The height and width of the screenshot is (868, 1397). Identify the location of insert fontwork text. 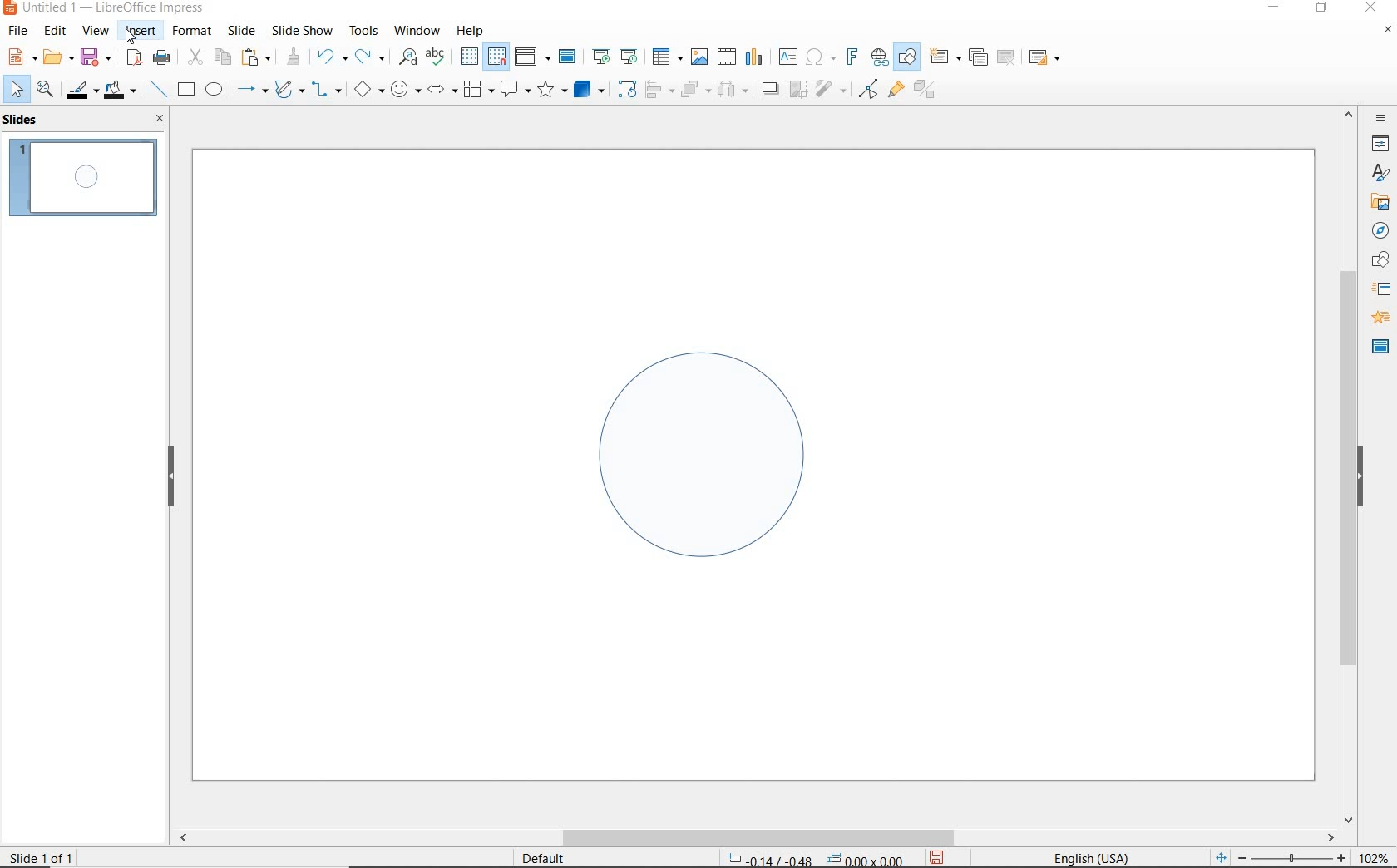
(850, 57).